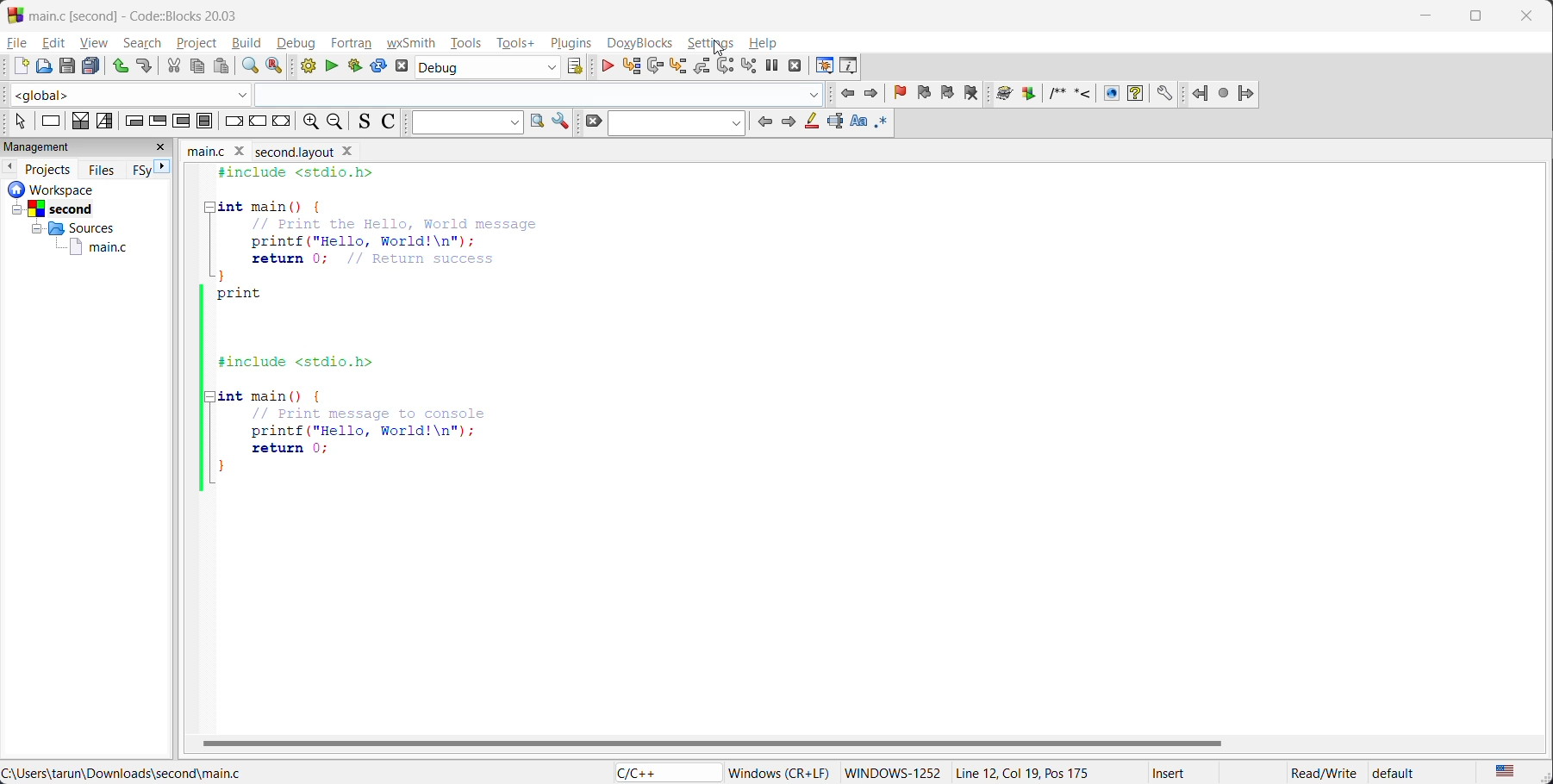 This screenshot has width=1553, height=784. Describe the element at coordinates (535, 122) in the screenshot. I see `run search` at that location.